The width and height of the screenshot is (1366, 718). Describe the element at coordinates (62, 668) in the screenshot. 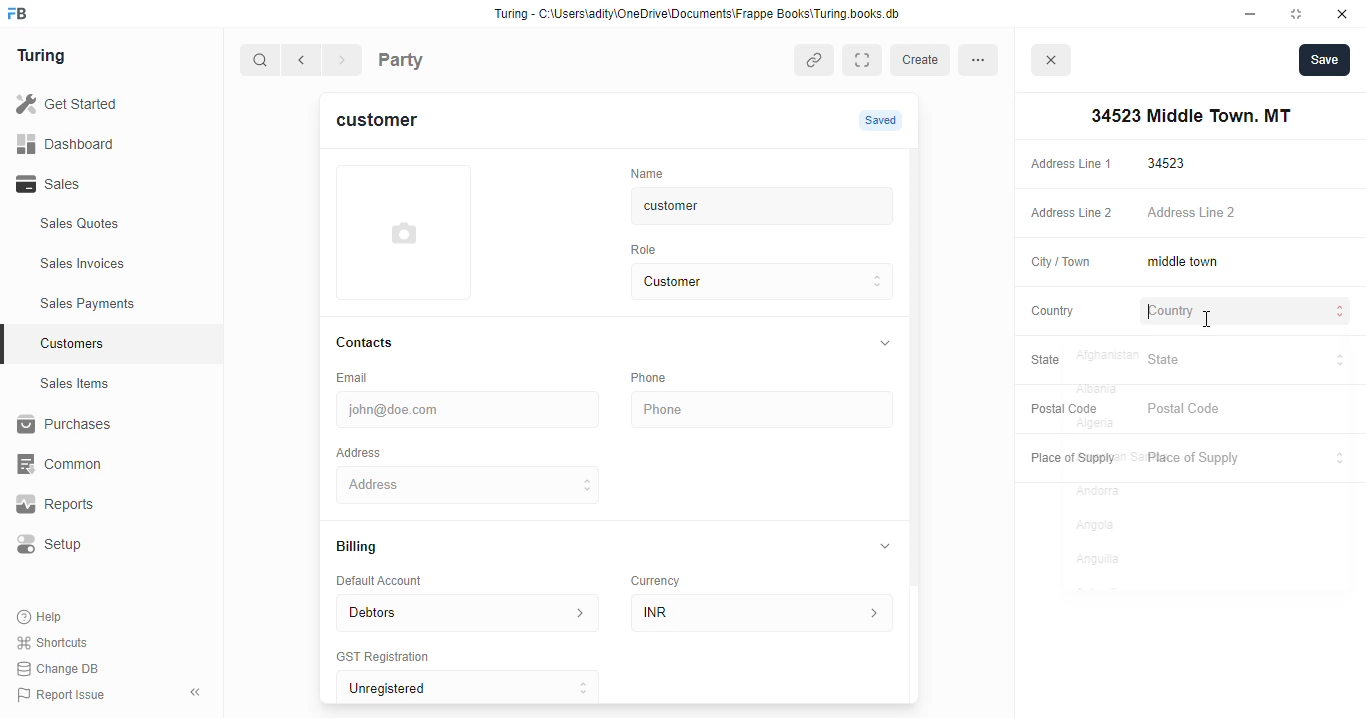

I see `Change DB` at that location.